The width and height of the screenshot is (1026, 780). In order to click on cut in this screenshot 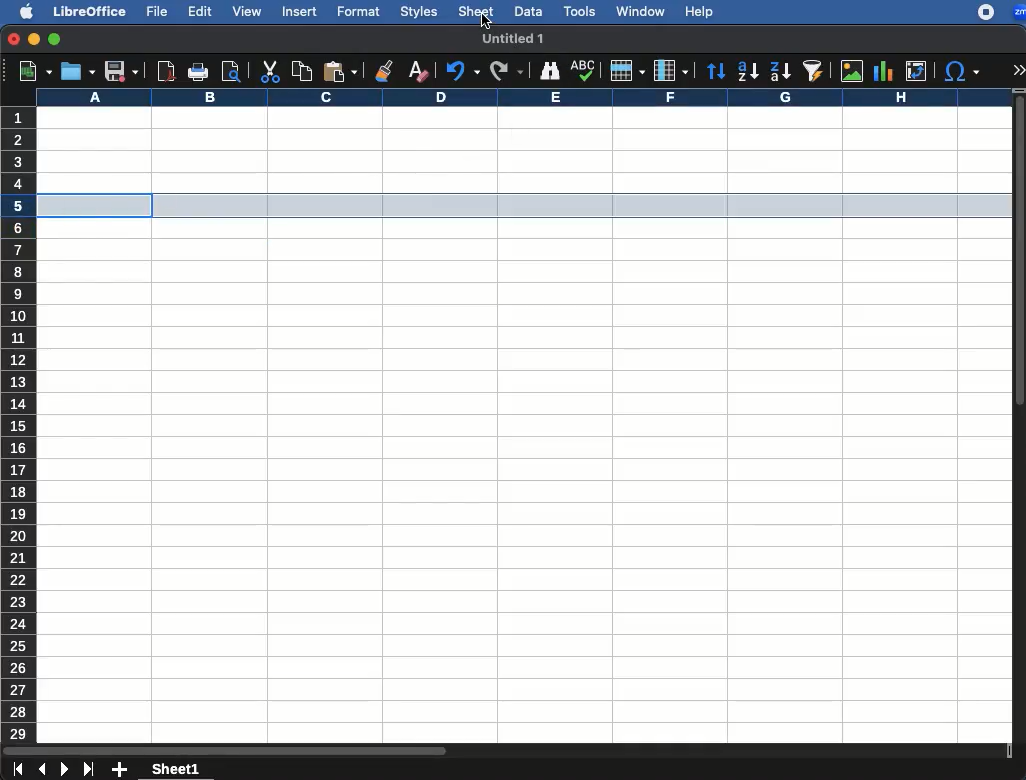, I will do `click(271, 71)`.